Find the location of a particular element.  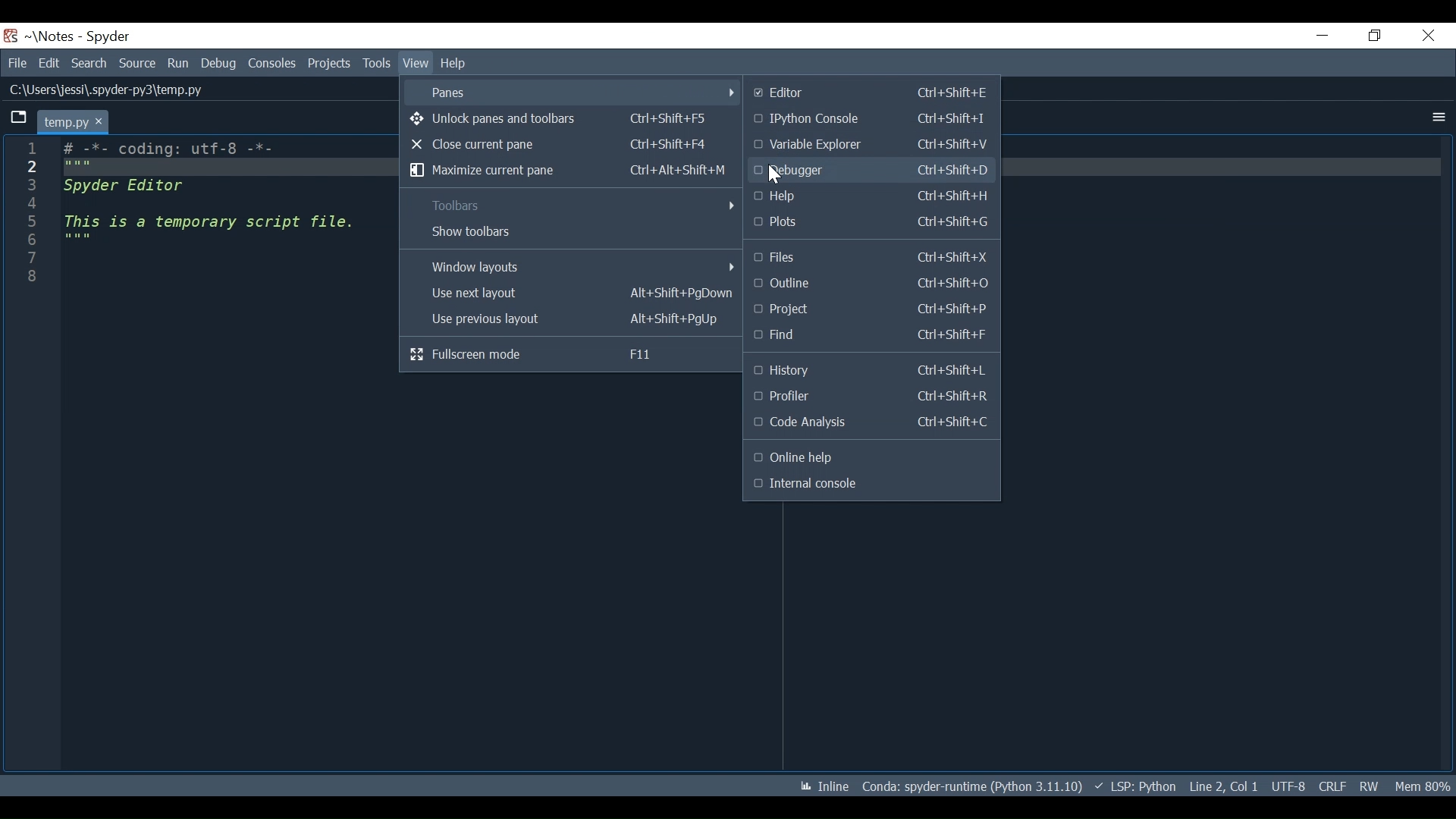

View is located at coordinates (376, 63).